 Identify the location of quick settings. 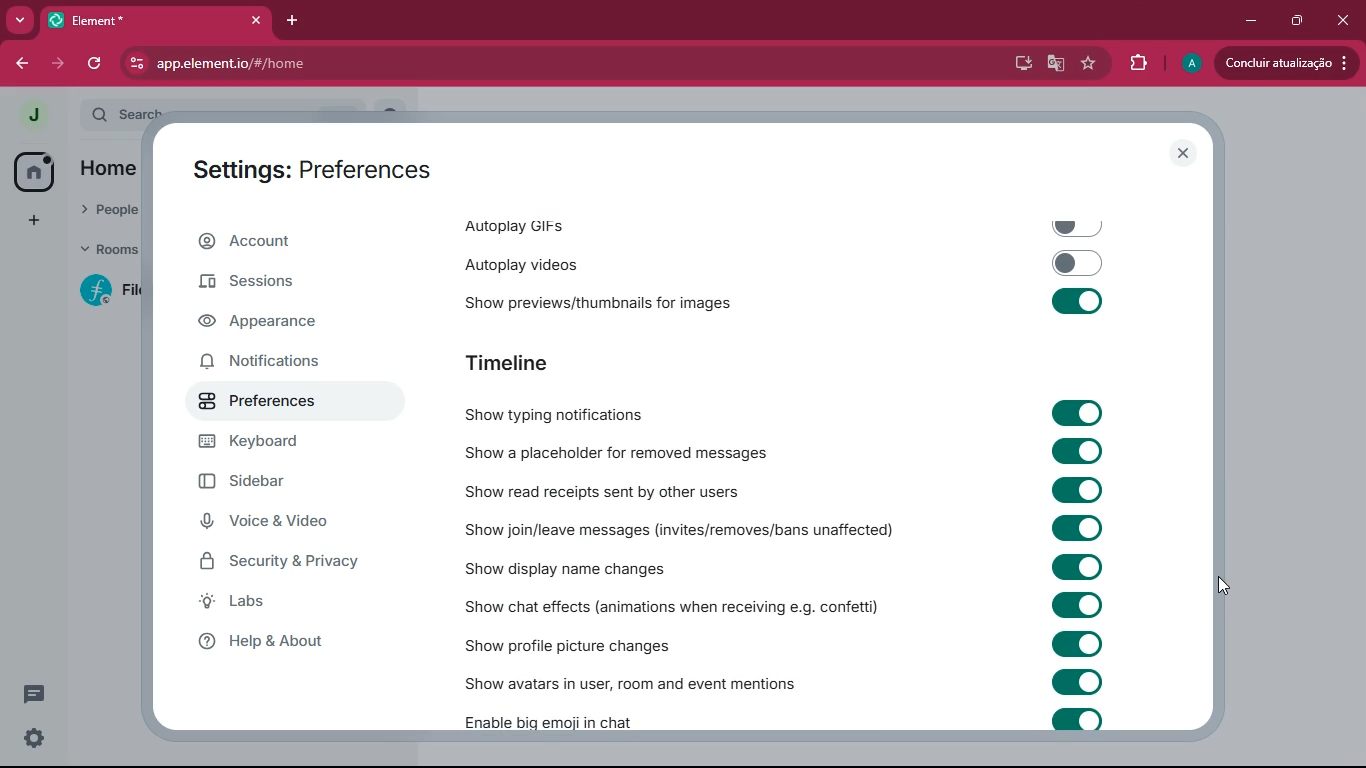
(35, 739).